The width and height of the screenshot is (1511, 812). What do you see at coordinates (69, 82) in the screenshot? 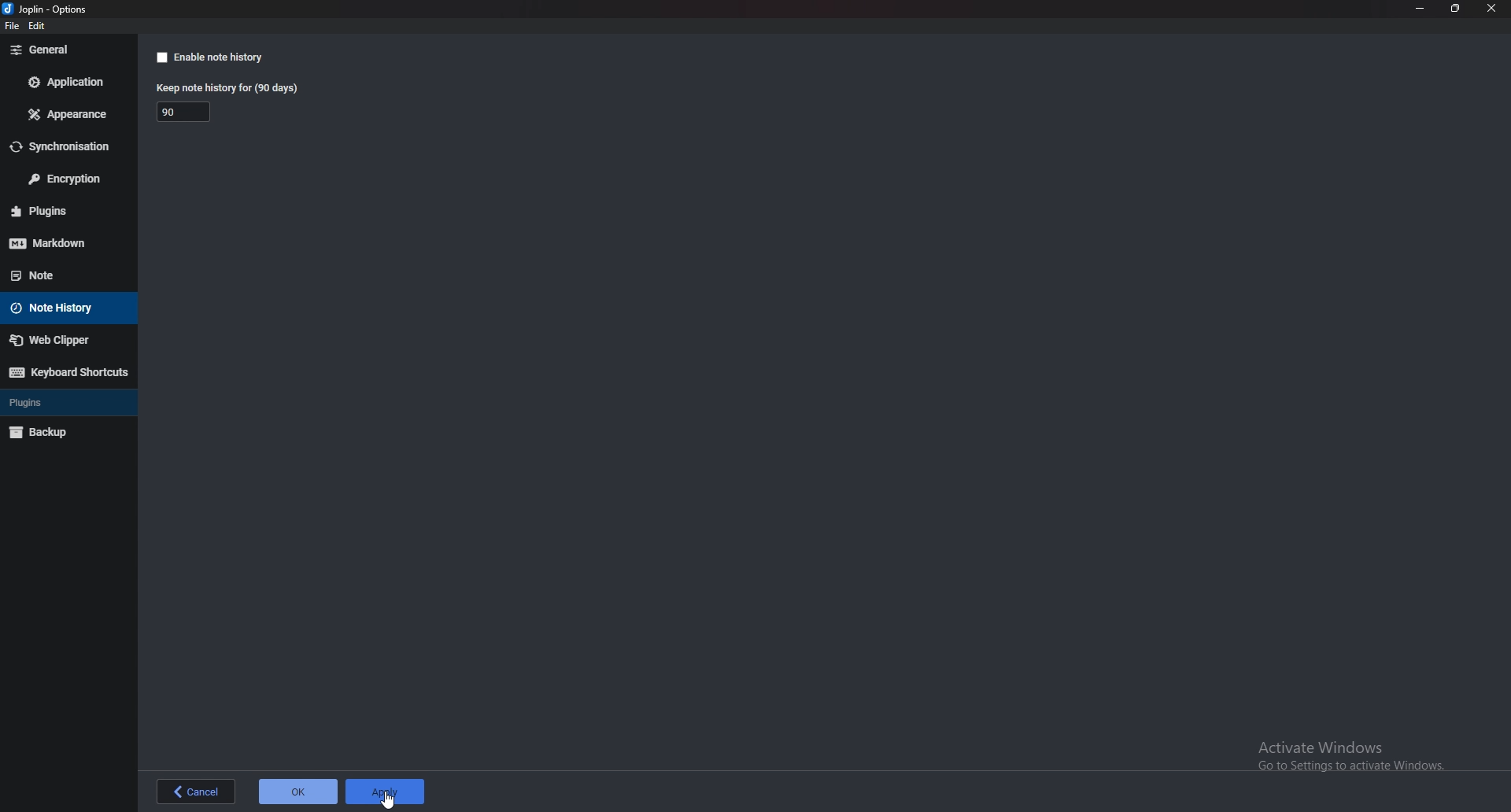
I see `Application` at bounding box center [69, 82].